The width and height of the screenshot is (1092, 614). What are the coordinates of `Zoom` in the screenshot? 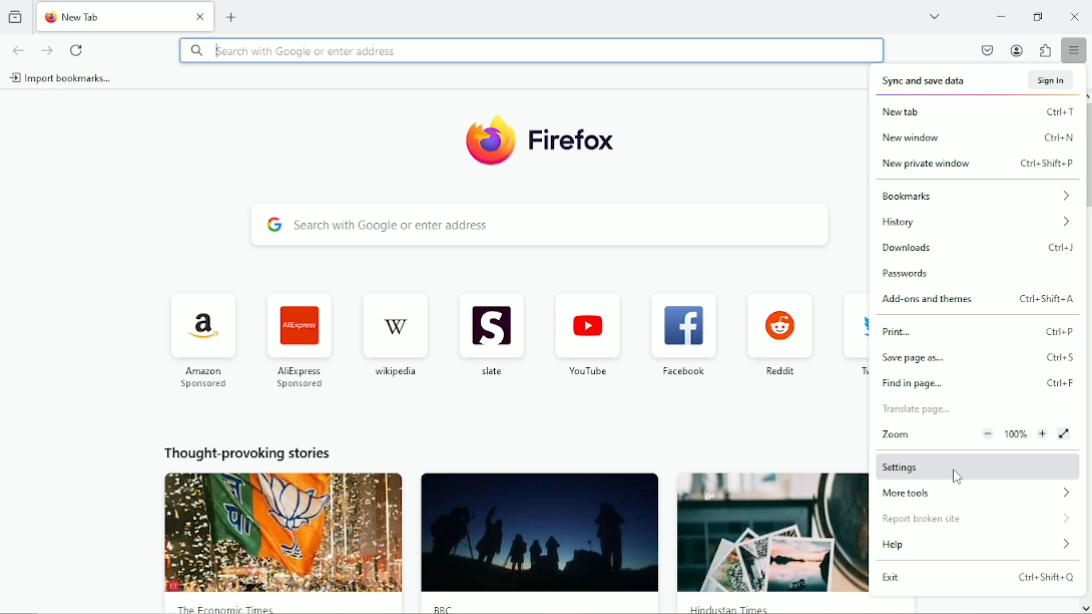 It's located at (976, 434).